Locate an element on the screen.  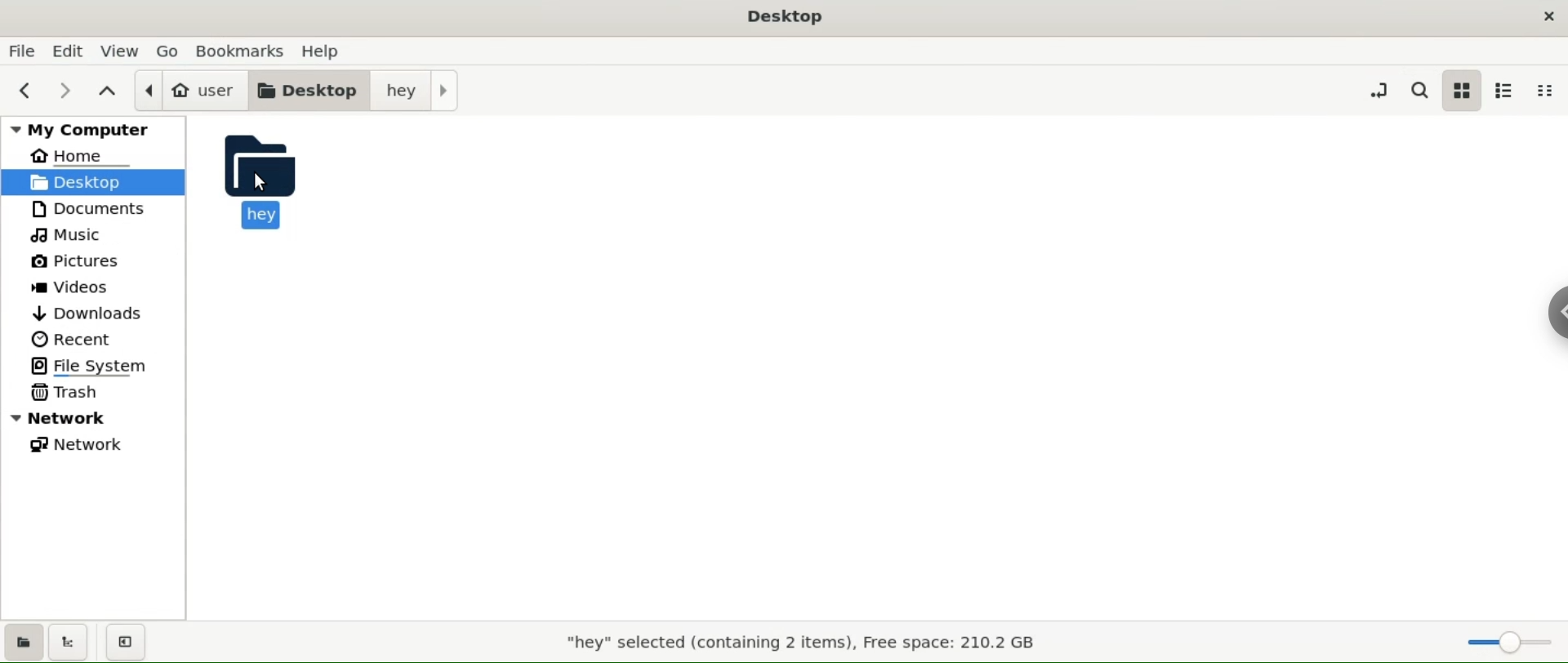
previous is located at coordinates (27, 91).